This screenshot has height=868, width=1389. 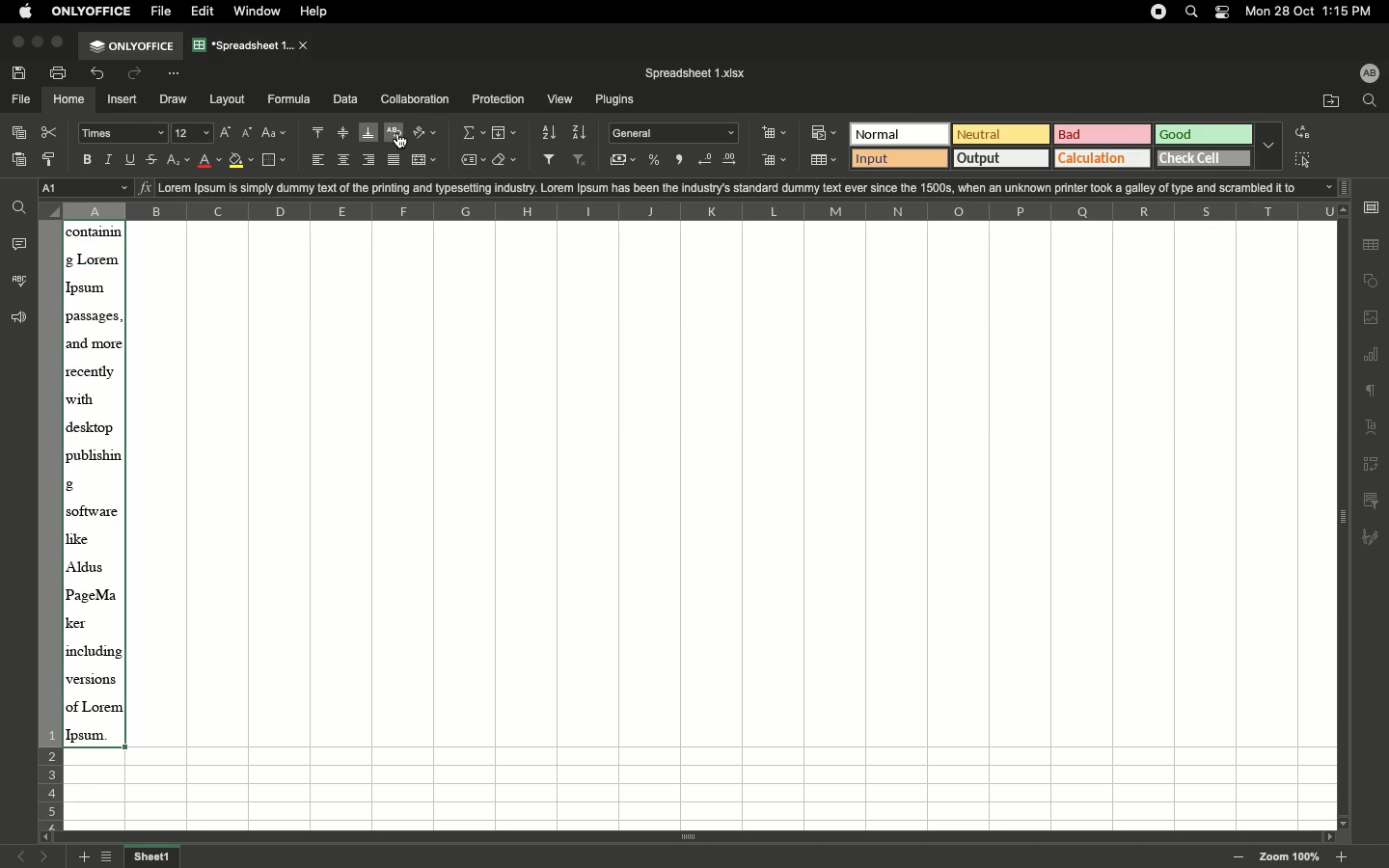 What do you see at coordinates (1371, 74) in the screenshot?
I see `User` at bounding box center [1371, 74].